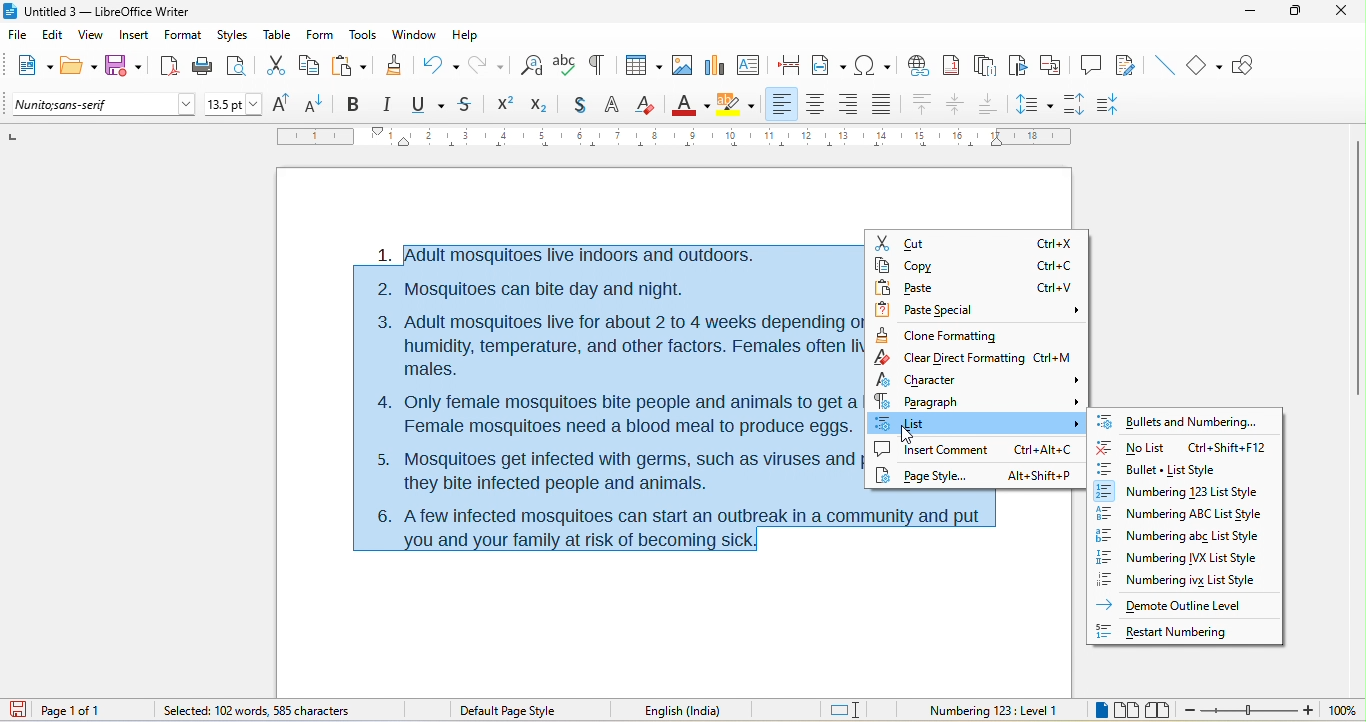  Describe the element at coordinates (601, 65) in the screenshot. I see `toggle formatting marks` at that location.